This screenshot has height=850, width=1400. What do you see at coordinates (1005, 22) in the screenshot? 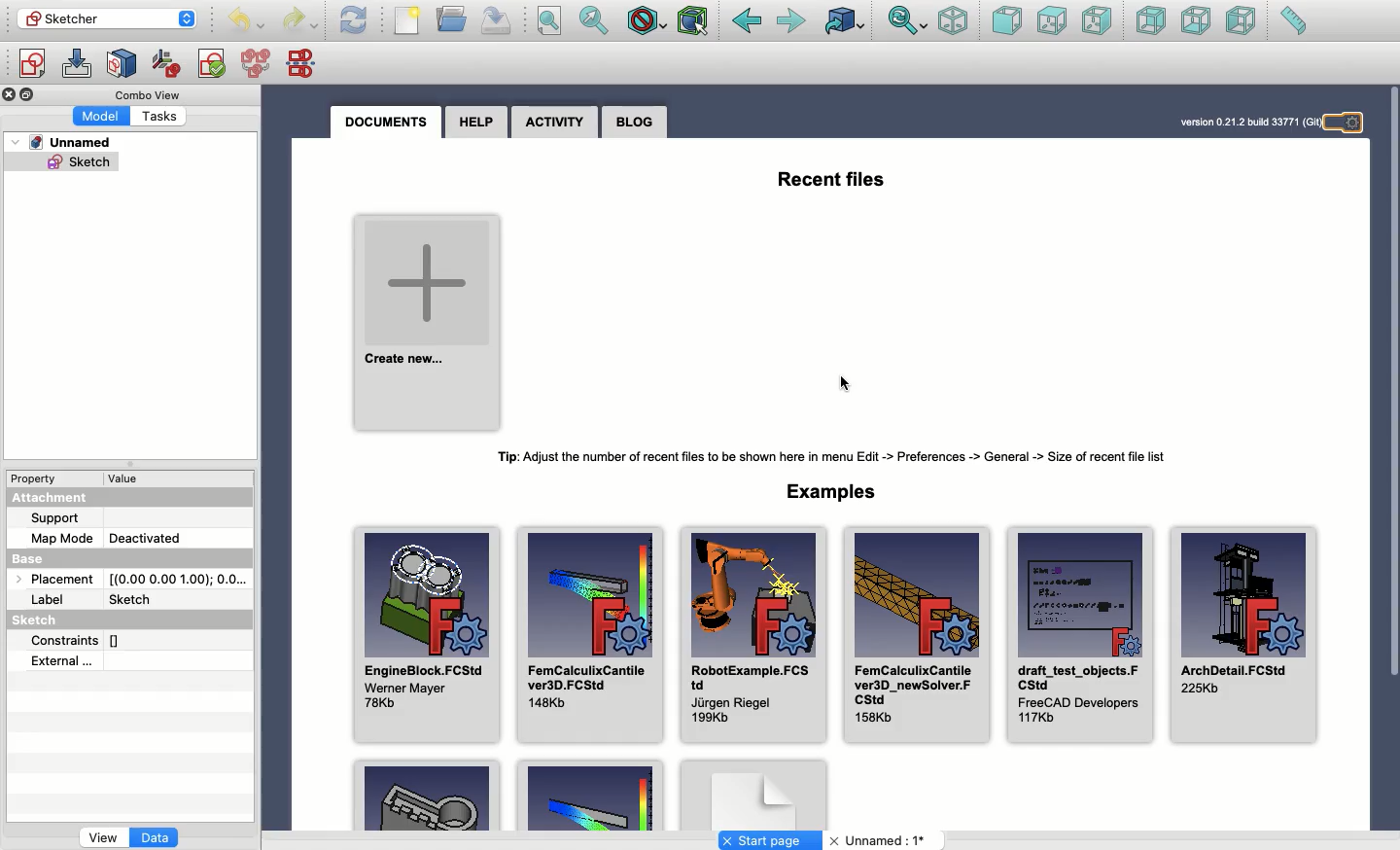
I see `Front` at bounding box center [1005, 22].